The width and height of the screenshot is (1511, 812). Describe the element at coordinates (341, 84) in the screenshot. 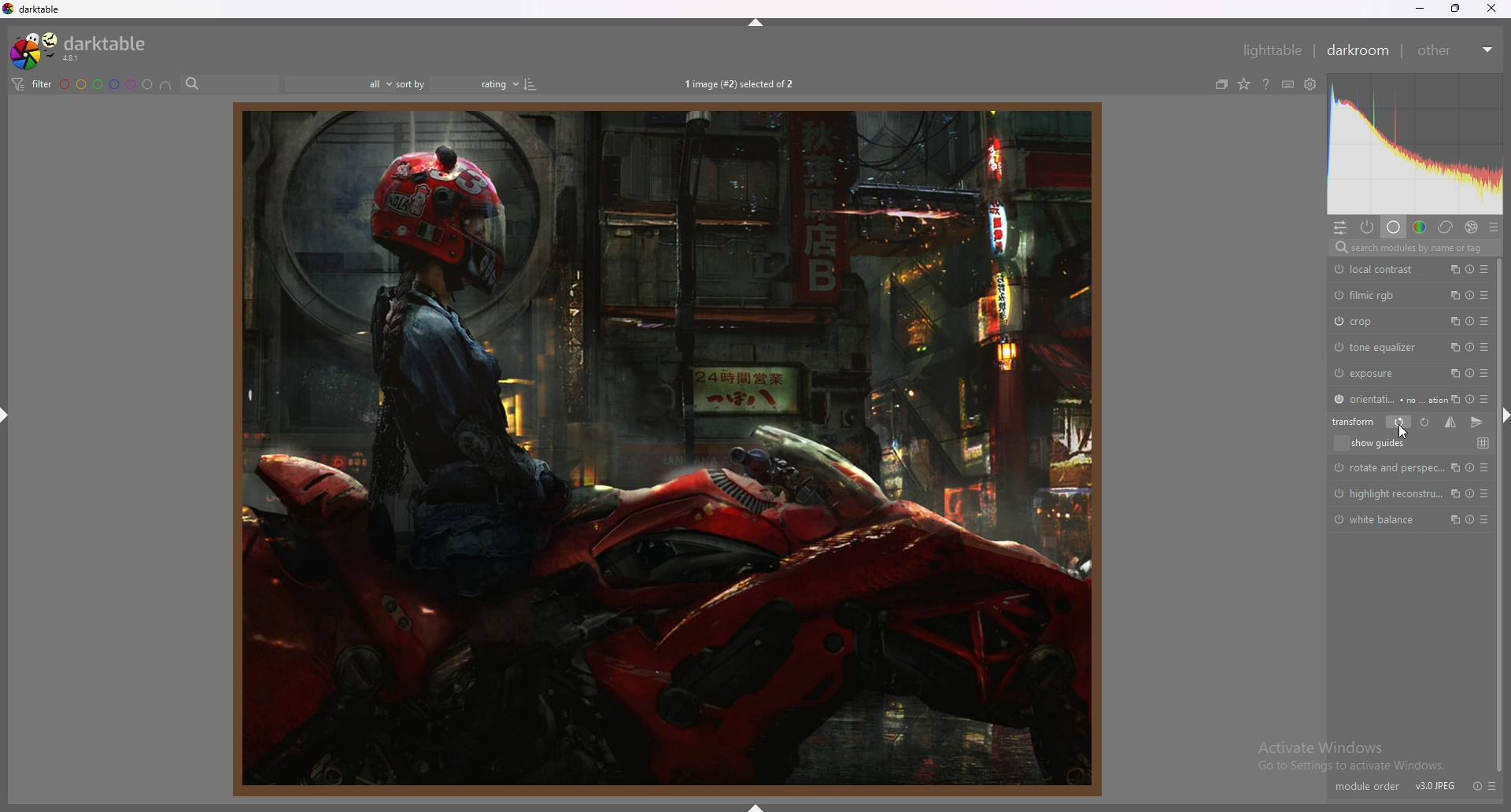

I see `filter by images rating` at that location.